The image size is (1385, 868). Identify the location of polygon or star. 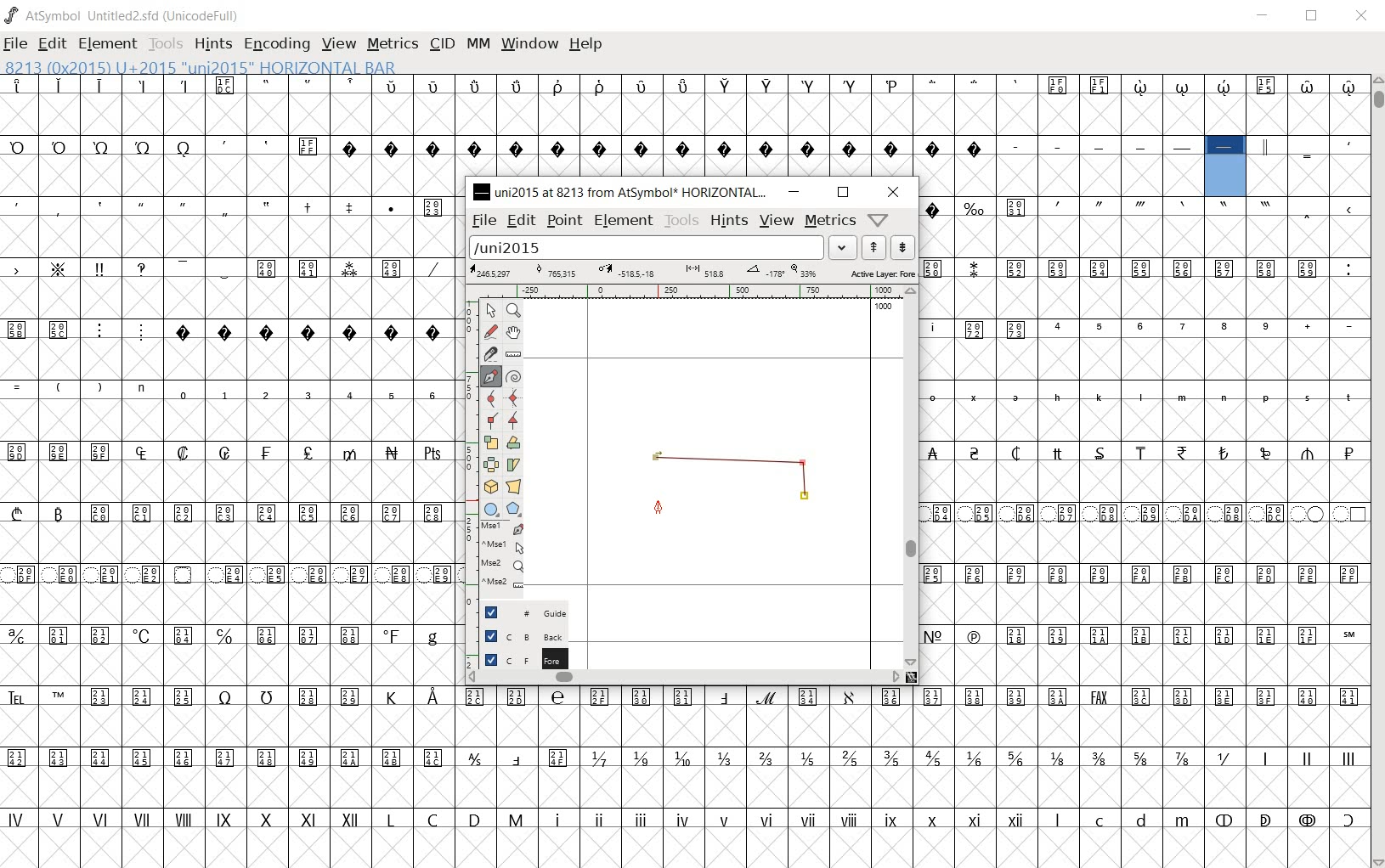
(514, 508).